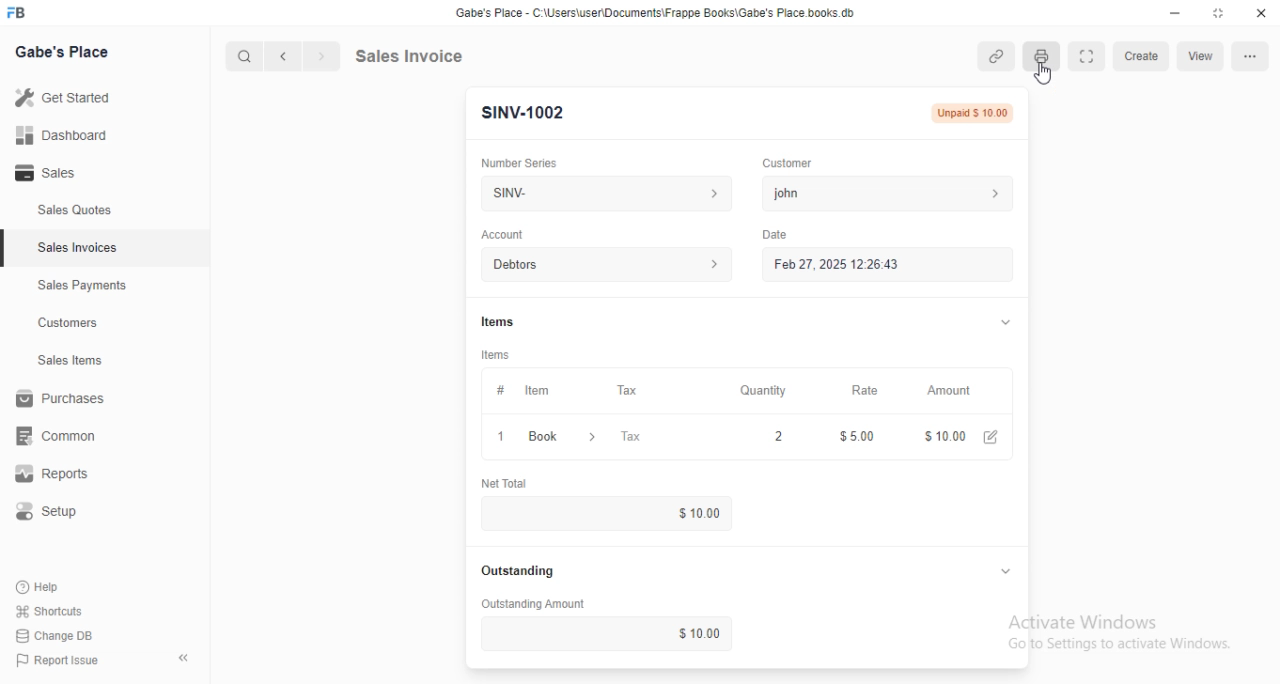  What do you see at coordinates (50, 611) in the screenshot?
I see `shortcuts` at bounding box center [50, 611].